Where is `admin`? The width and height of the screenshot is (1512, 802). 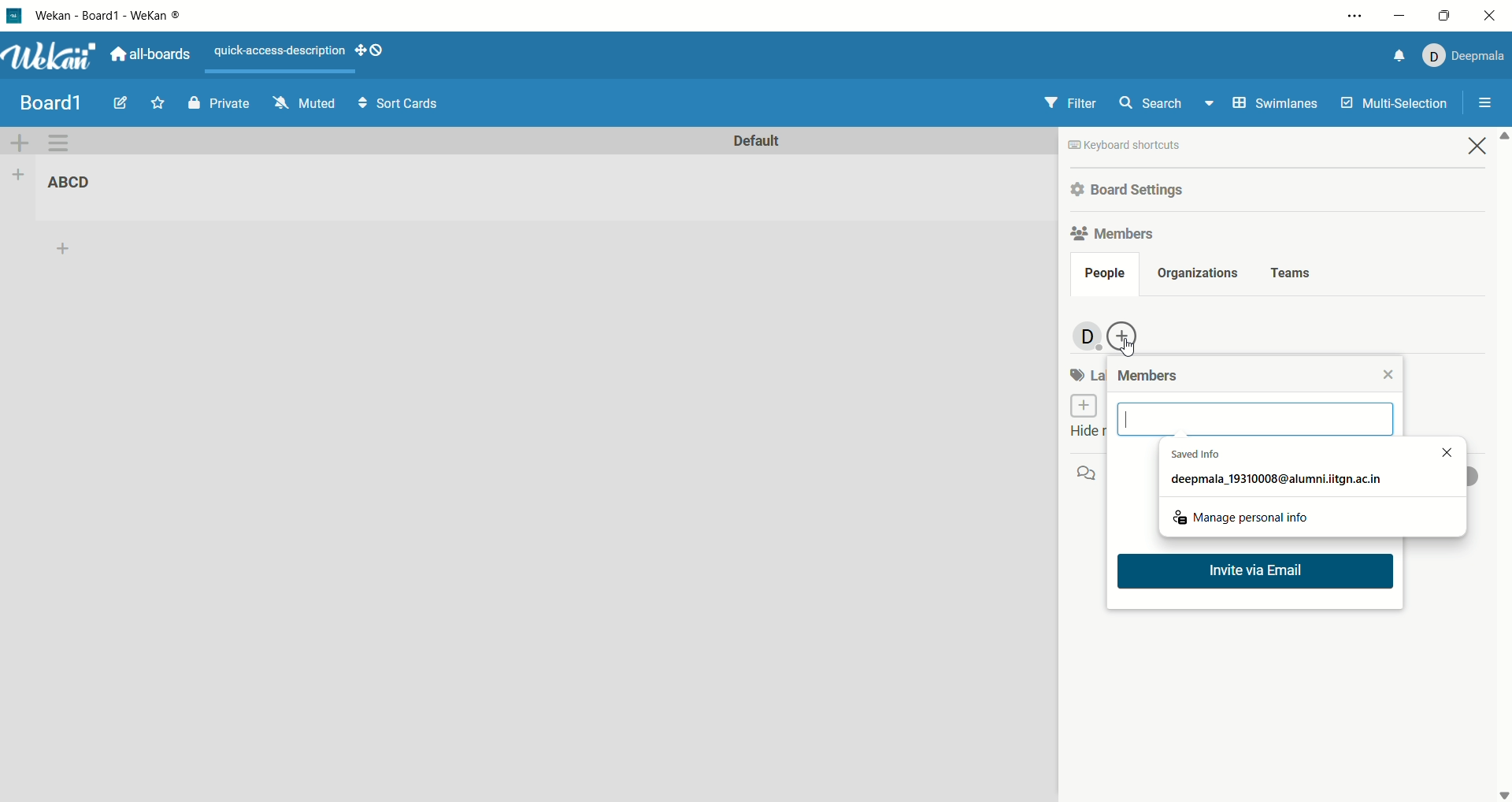 admin is located at coordinates (1084, 337).